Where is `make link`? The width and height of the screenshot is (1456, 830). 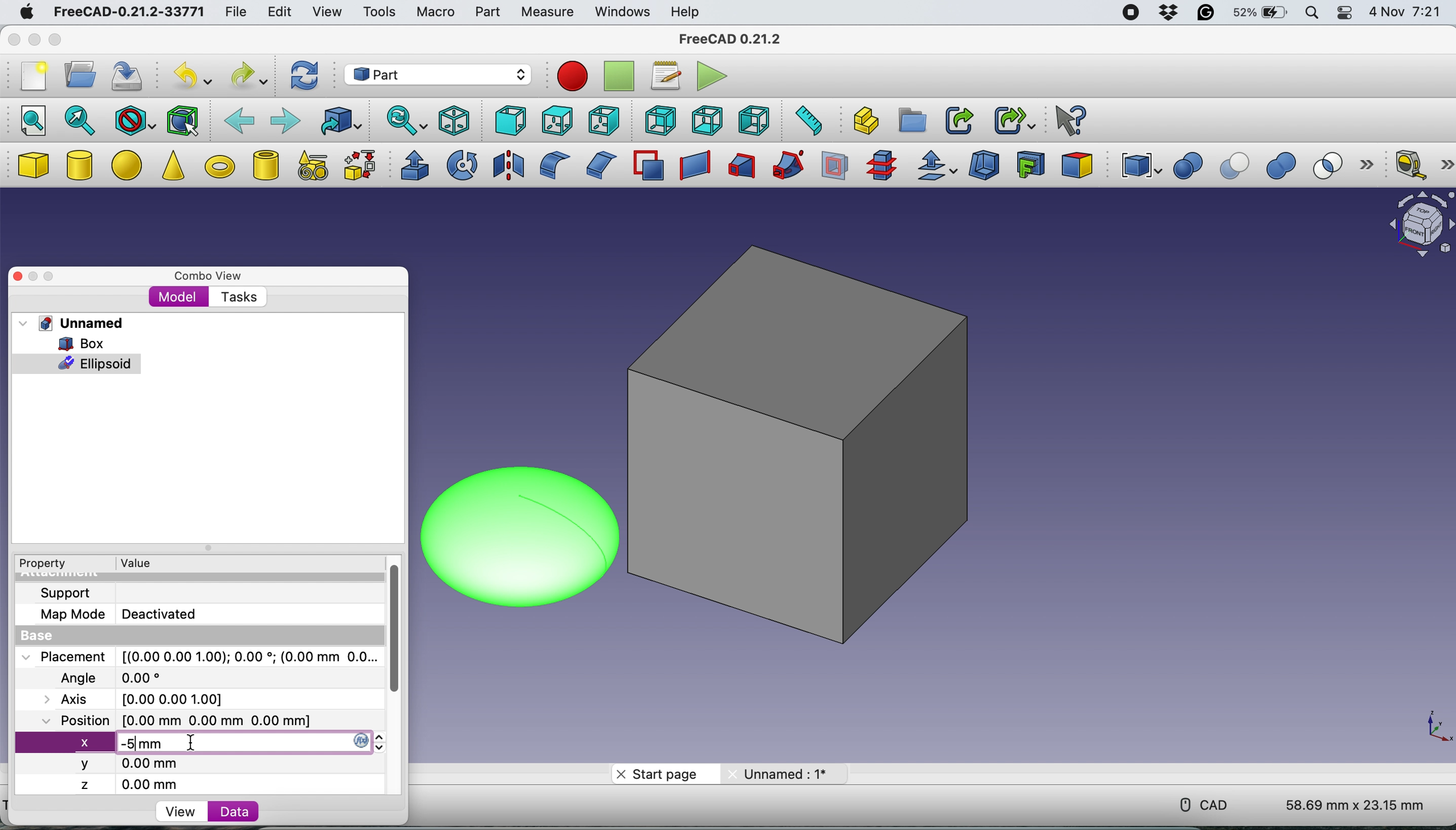 make link is located at coordinates (959, 120).